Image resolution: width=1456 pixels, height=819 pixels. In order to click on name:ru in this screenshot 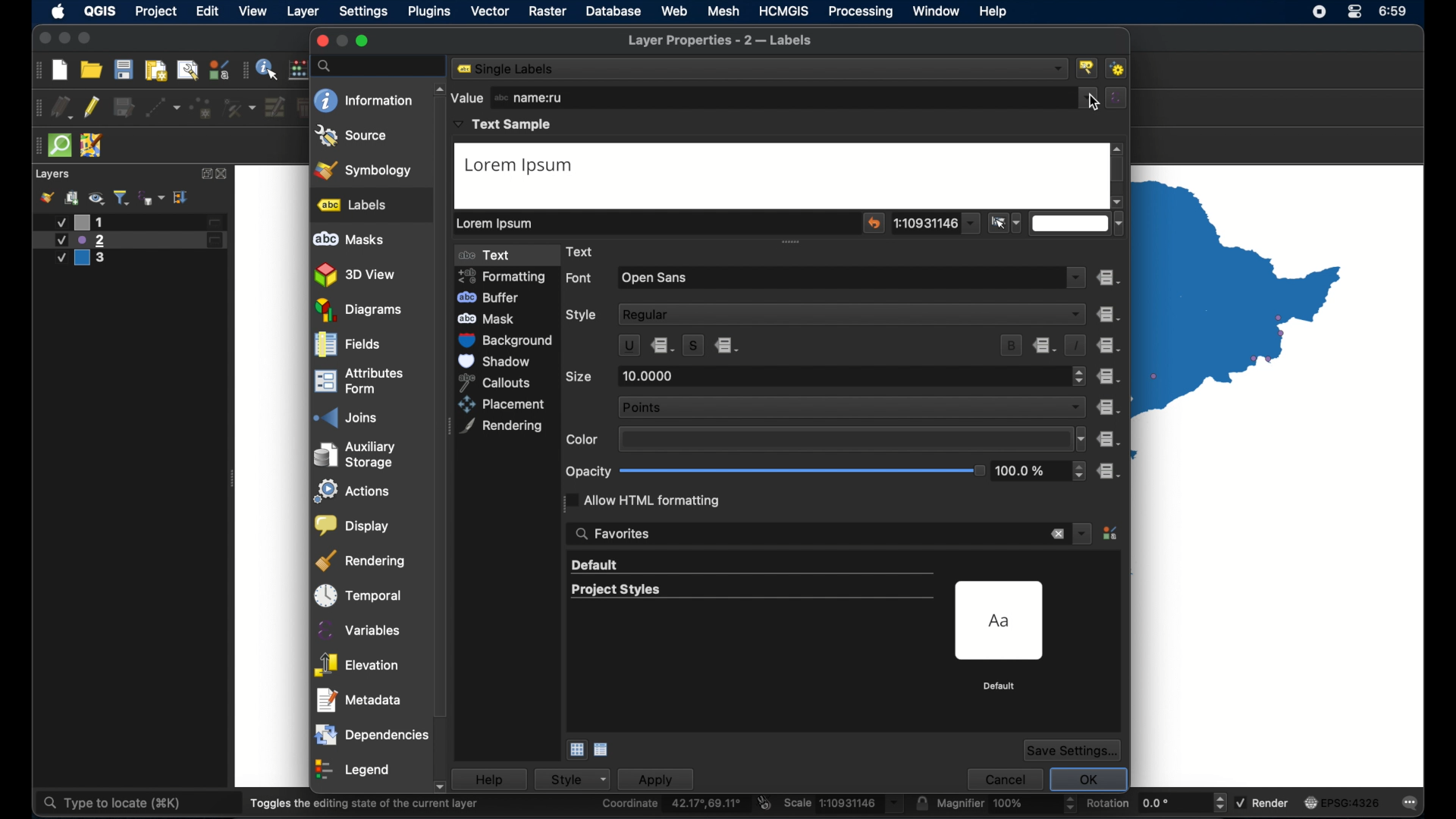, I will do `click(529, 98)`.